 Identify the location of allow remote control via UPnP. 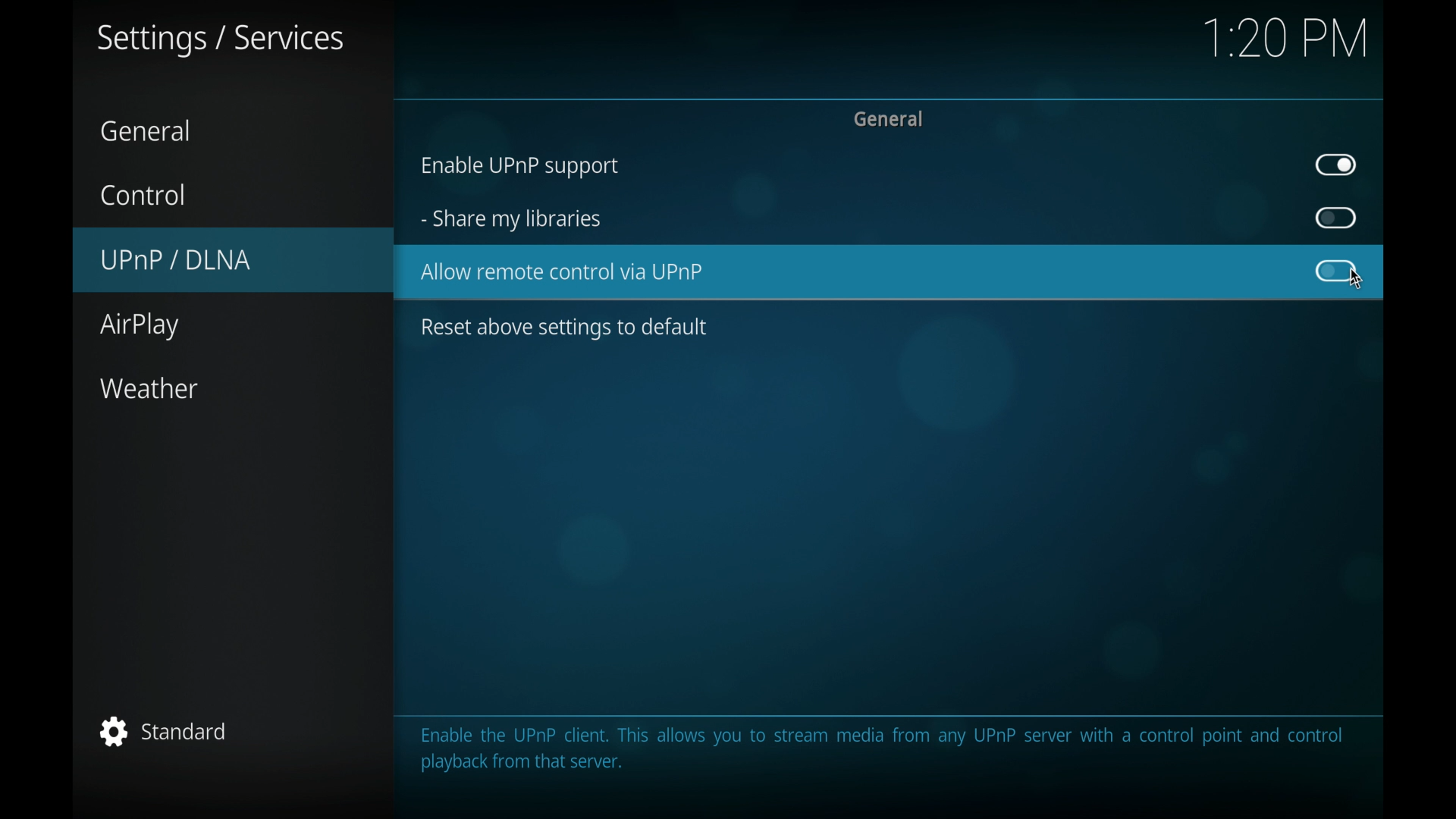
(563, 272).